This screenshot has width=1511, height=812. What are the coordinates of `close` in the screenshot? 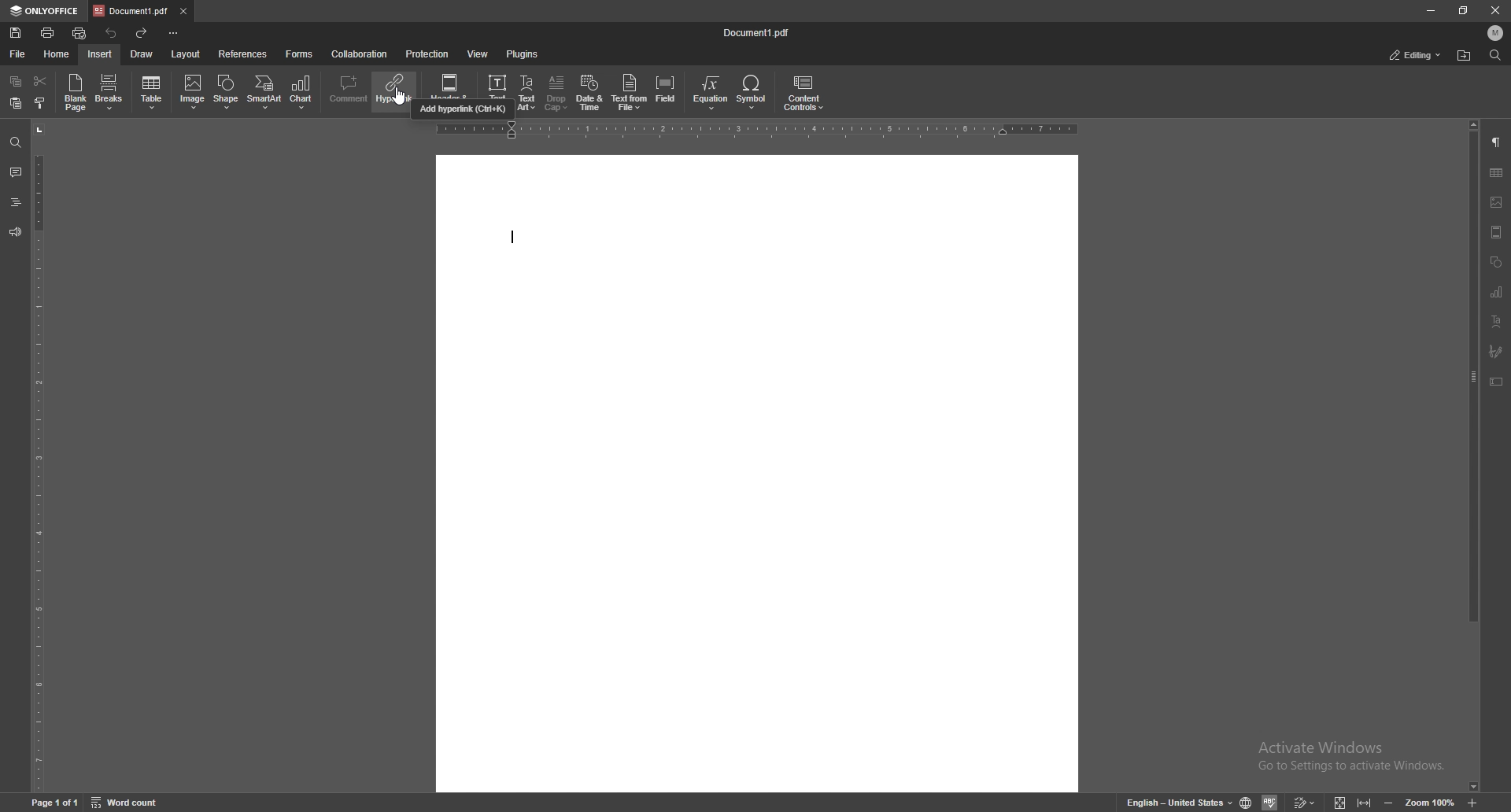 It's located at (1494, 10).